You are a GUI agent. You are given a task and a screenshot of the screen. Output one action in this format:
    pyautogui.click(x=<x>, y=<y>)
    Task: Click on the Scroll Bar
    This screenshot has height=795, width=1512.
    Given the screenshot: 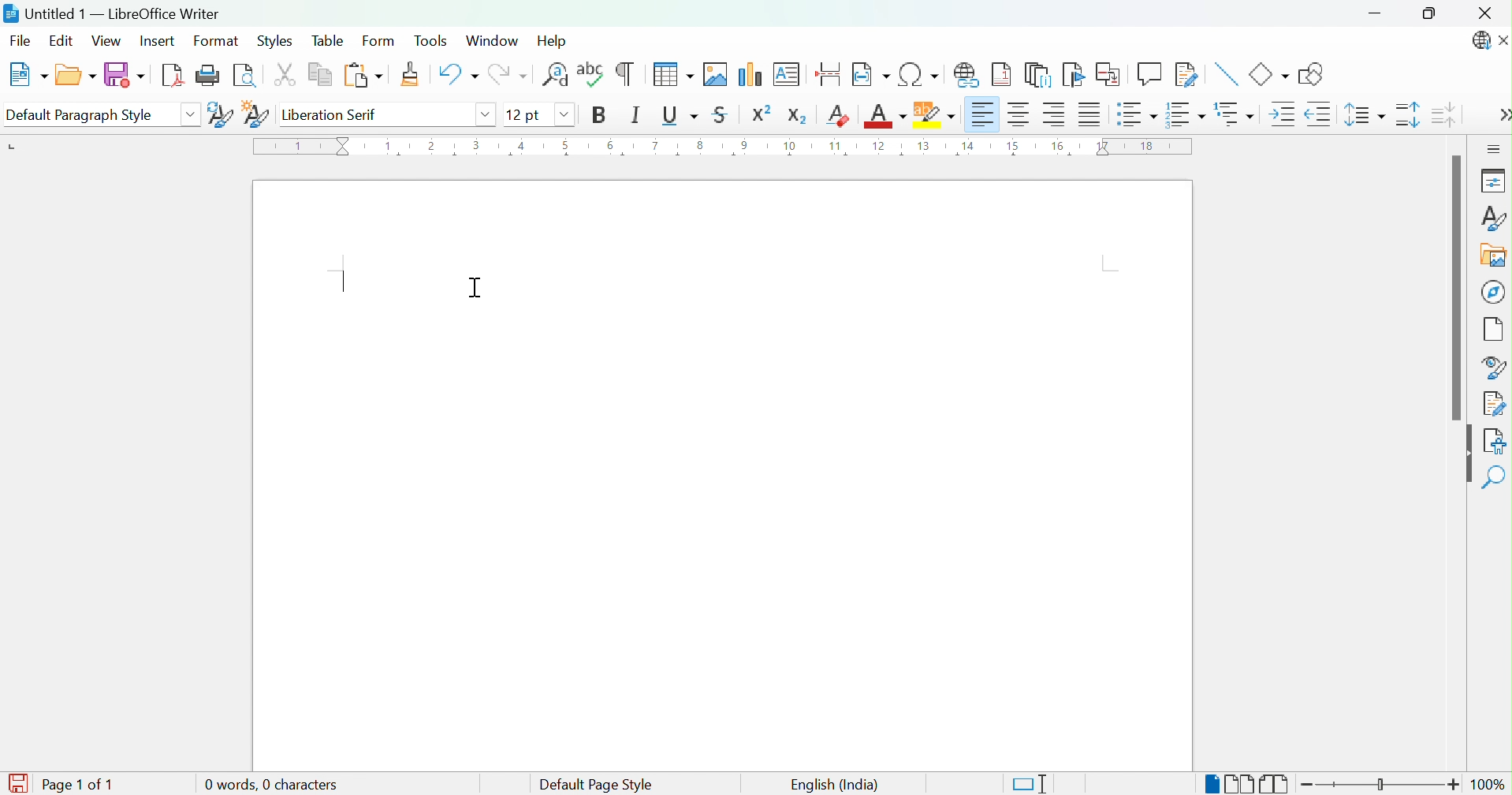 What is the action you would take?
    pyautogui.click(x=1454, y=287)
    